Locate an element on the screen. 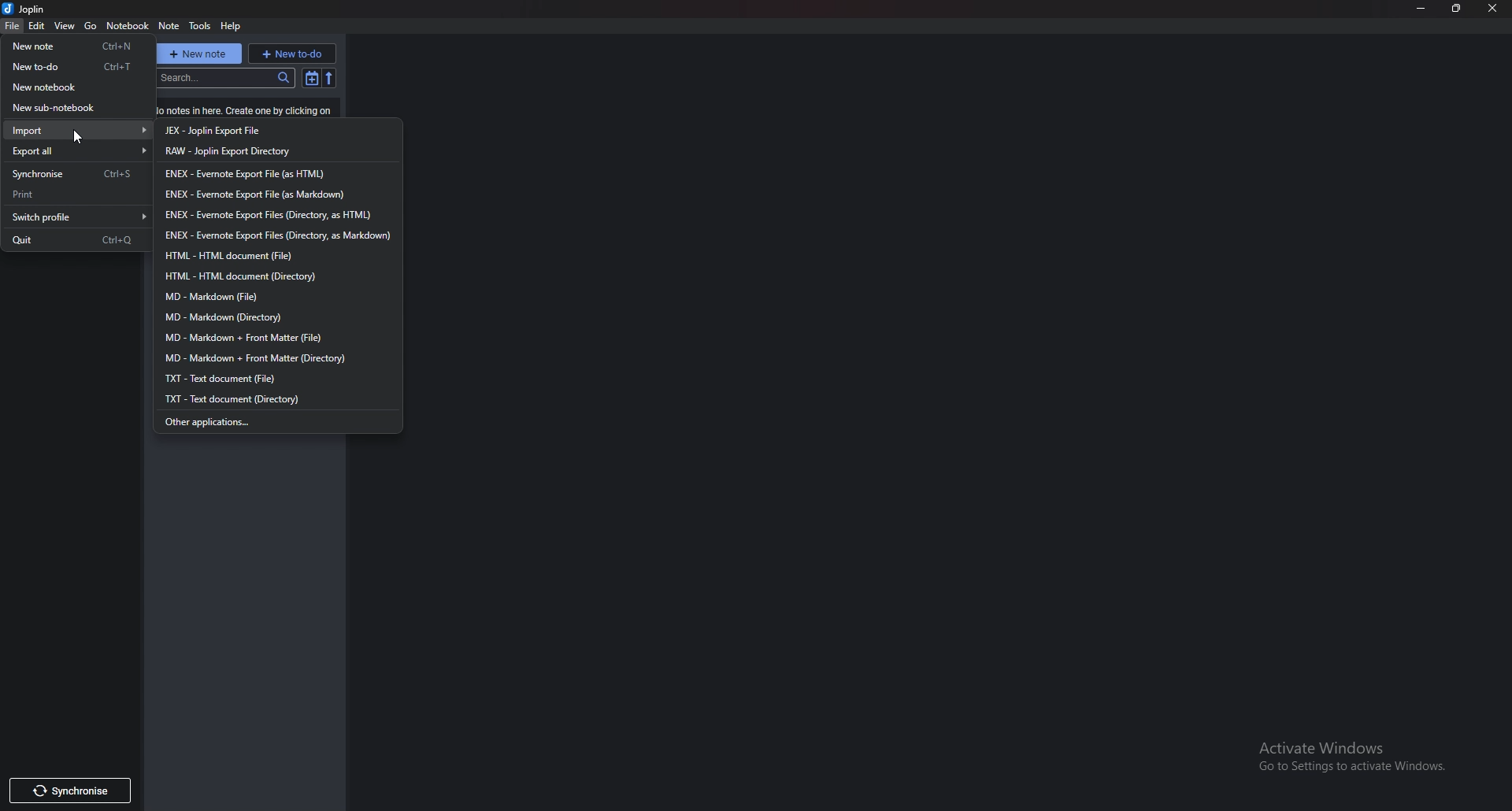  txt file is located at coordinates (231, 376).